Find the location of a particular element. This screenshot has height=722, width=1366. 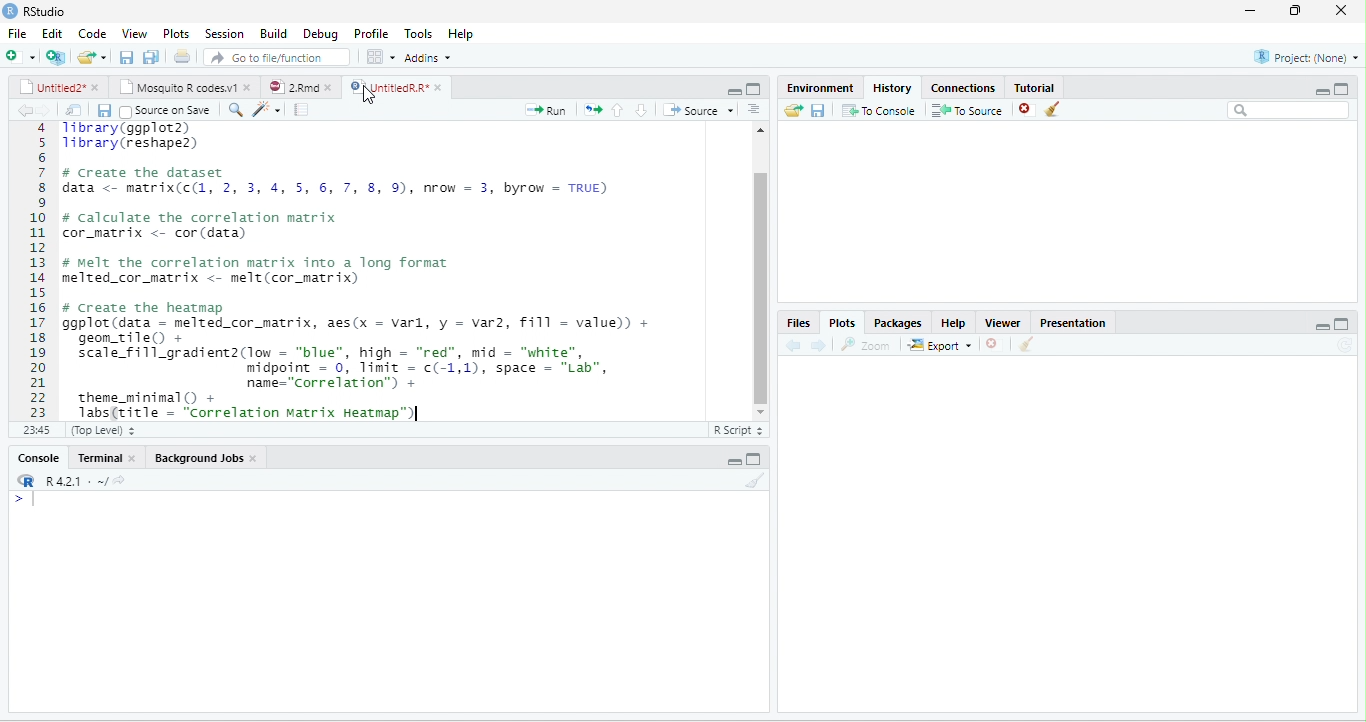

connections is located at coordinates (961, 86).